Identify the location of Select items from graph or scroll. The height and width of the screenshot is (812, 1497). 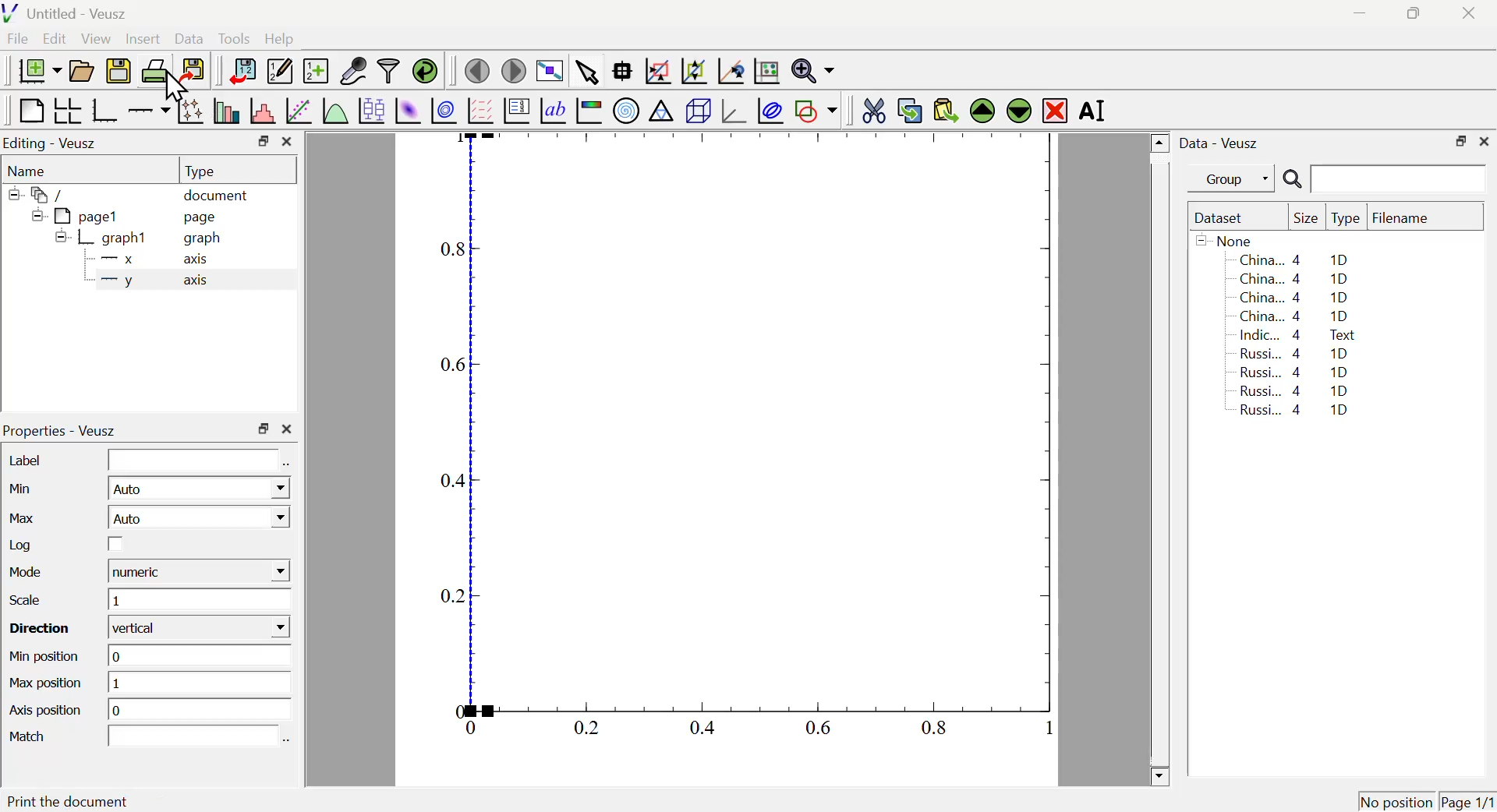
(586, 75).